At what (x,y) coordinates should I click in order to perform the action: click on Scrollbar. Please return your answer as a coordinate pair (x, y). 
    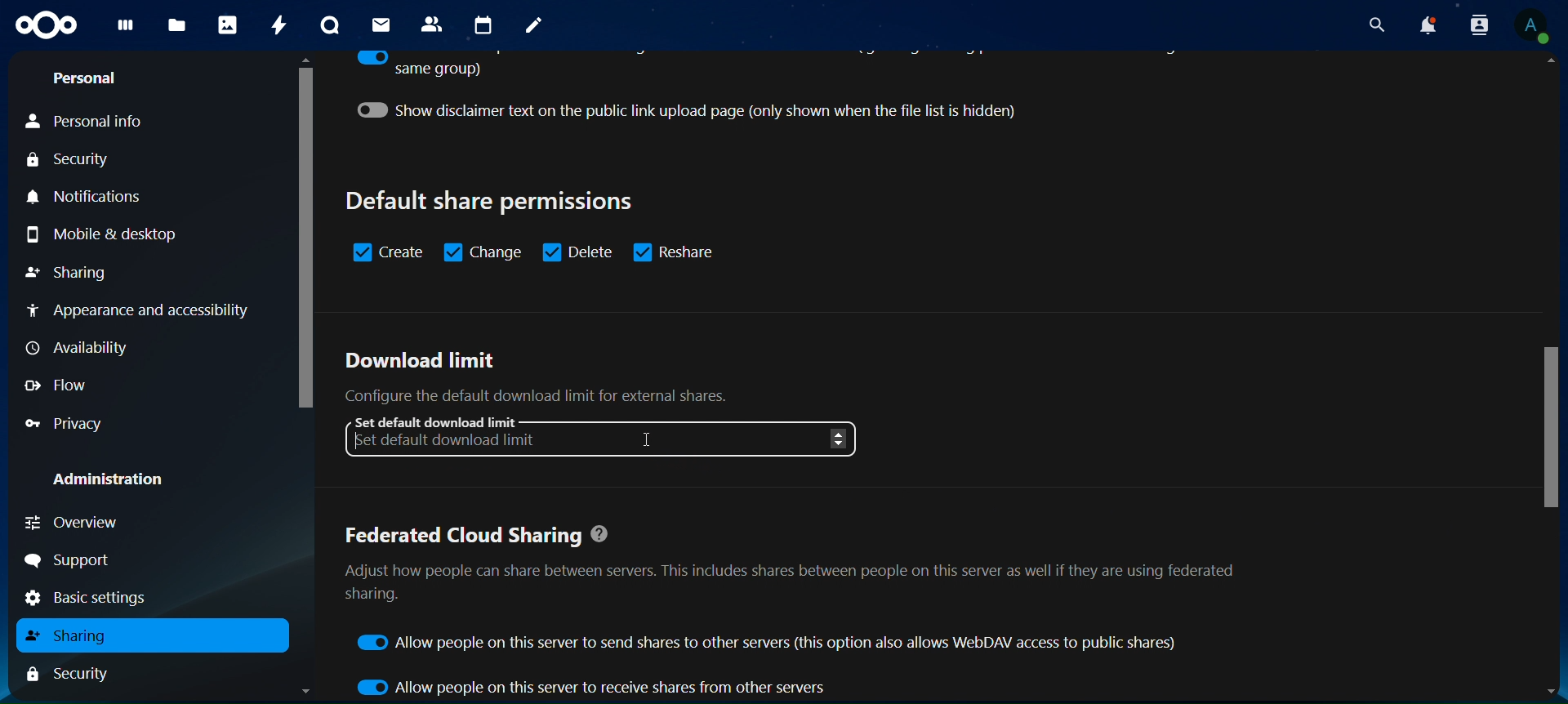
    Looking at the image, I should click on (301, 378).